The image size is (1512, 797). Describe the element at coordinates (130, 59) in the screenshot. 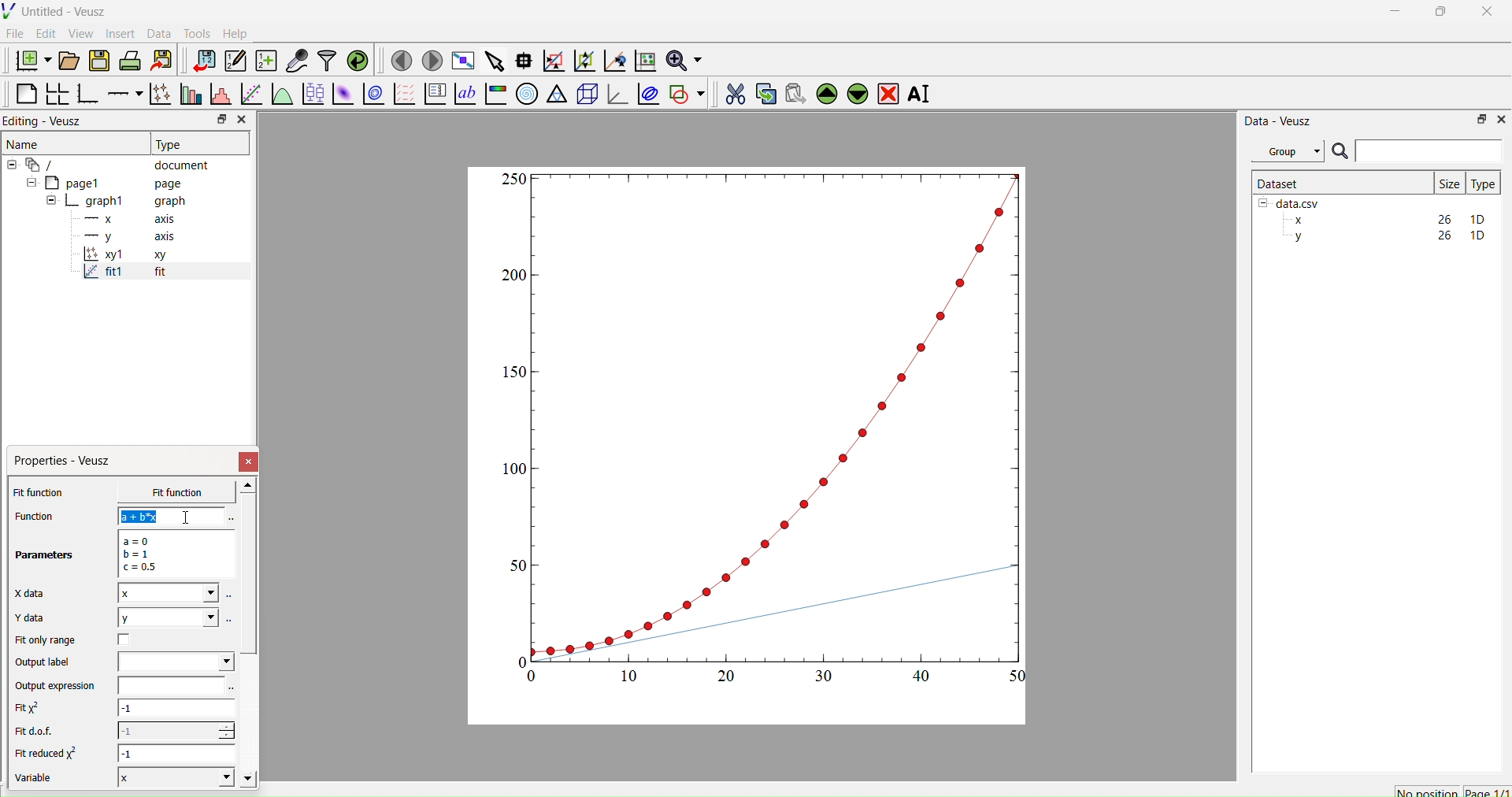

I see `Print the document` at that location.